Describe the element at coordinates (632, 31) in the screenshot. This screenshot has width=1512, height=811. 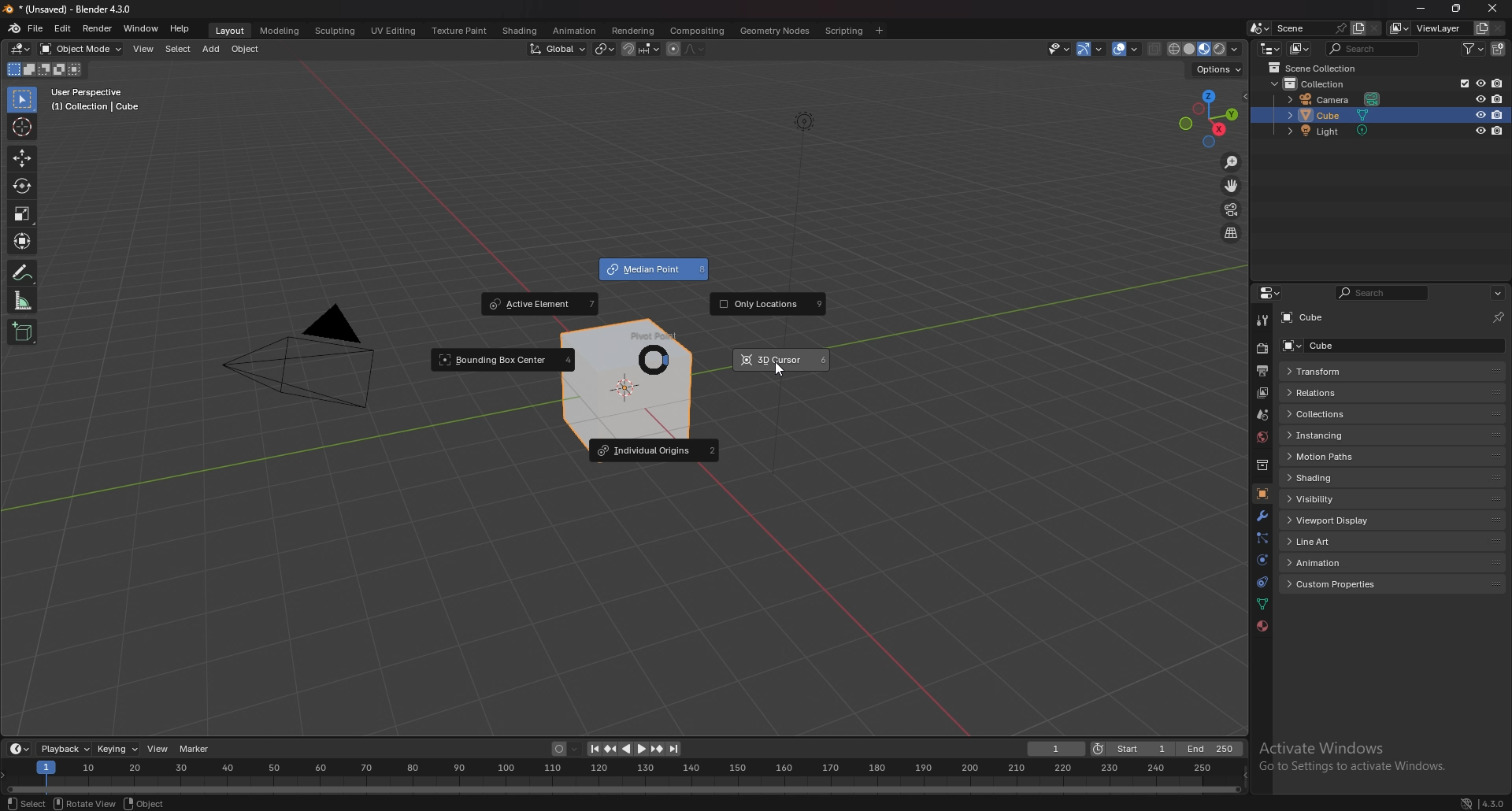
I see `rendering` at that location.